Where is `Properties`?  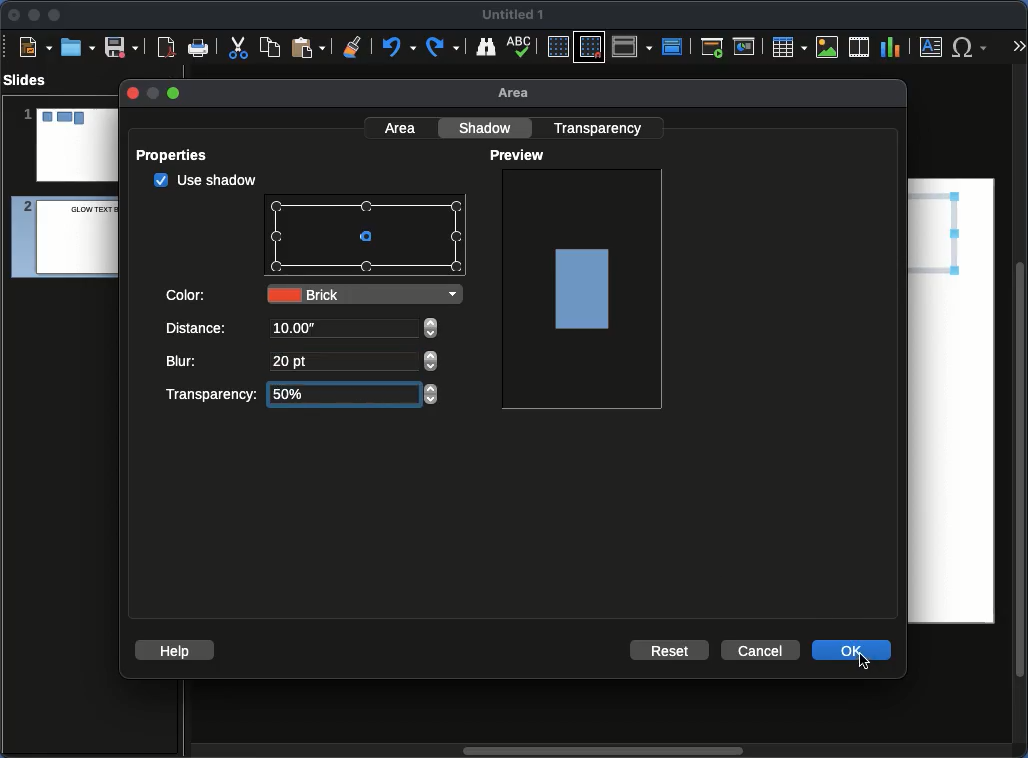 Properties is located at coordinates (178, 155).